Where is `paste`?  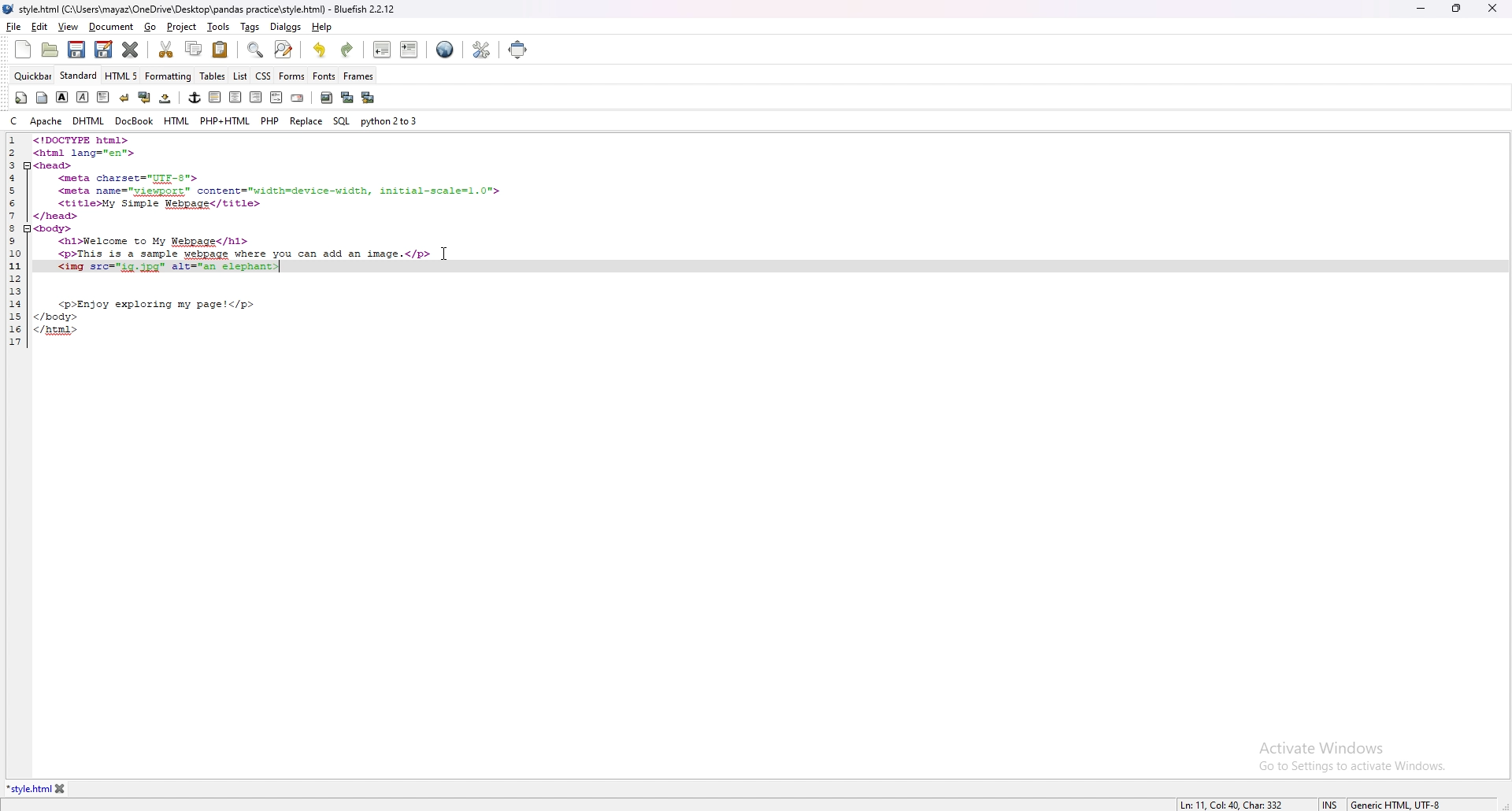 paste is located at coordinates (220, 50).